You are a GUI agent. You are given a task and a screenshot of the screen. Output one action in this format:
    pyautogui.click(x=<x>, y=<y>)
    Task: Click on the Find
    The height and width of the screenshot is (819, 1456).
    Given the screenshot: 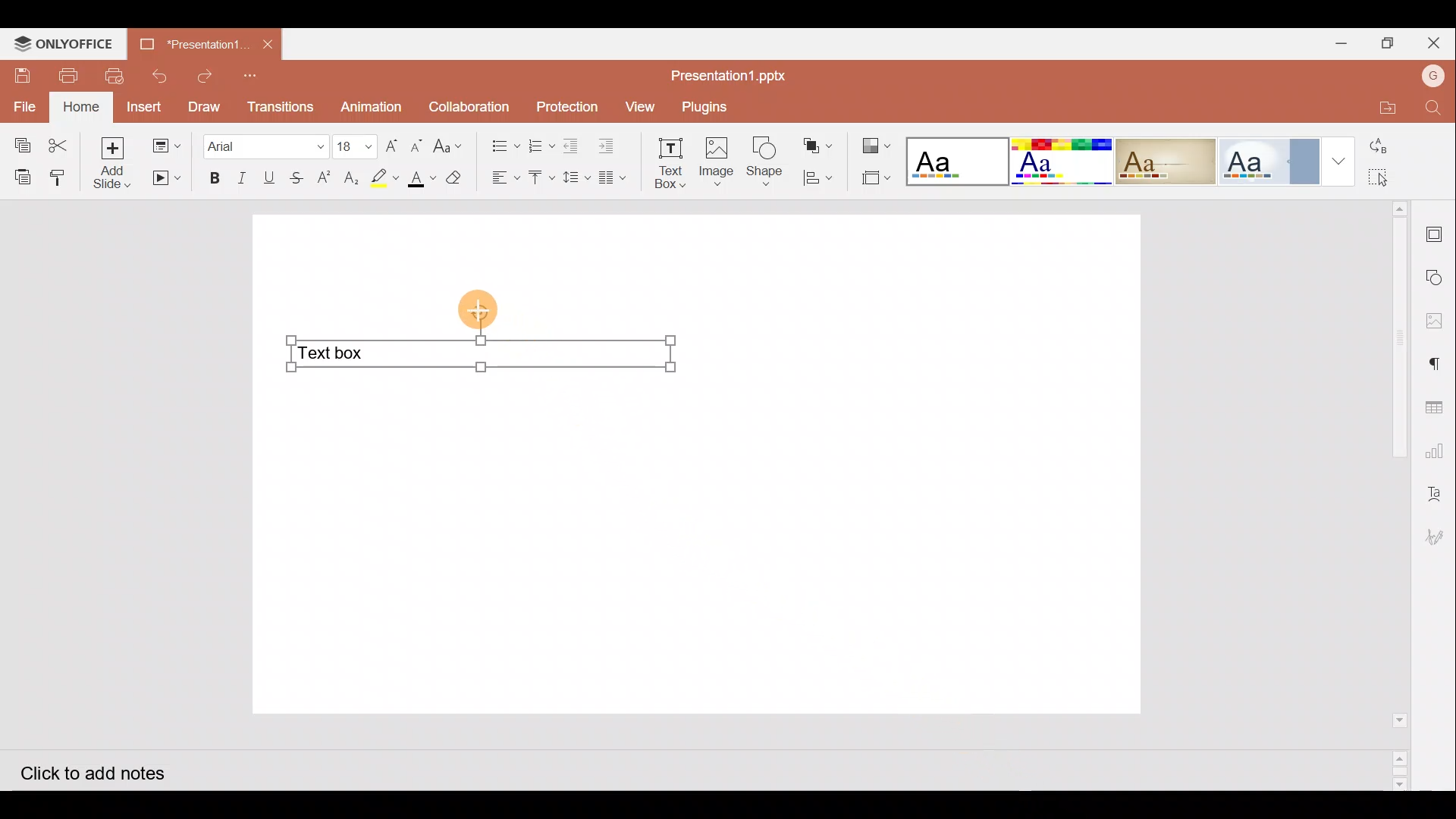 What is the action you would take?
    pyautogui.click(x=1433, y=109)
    